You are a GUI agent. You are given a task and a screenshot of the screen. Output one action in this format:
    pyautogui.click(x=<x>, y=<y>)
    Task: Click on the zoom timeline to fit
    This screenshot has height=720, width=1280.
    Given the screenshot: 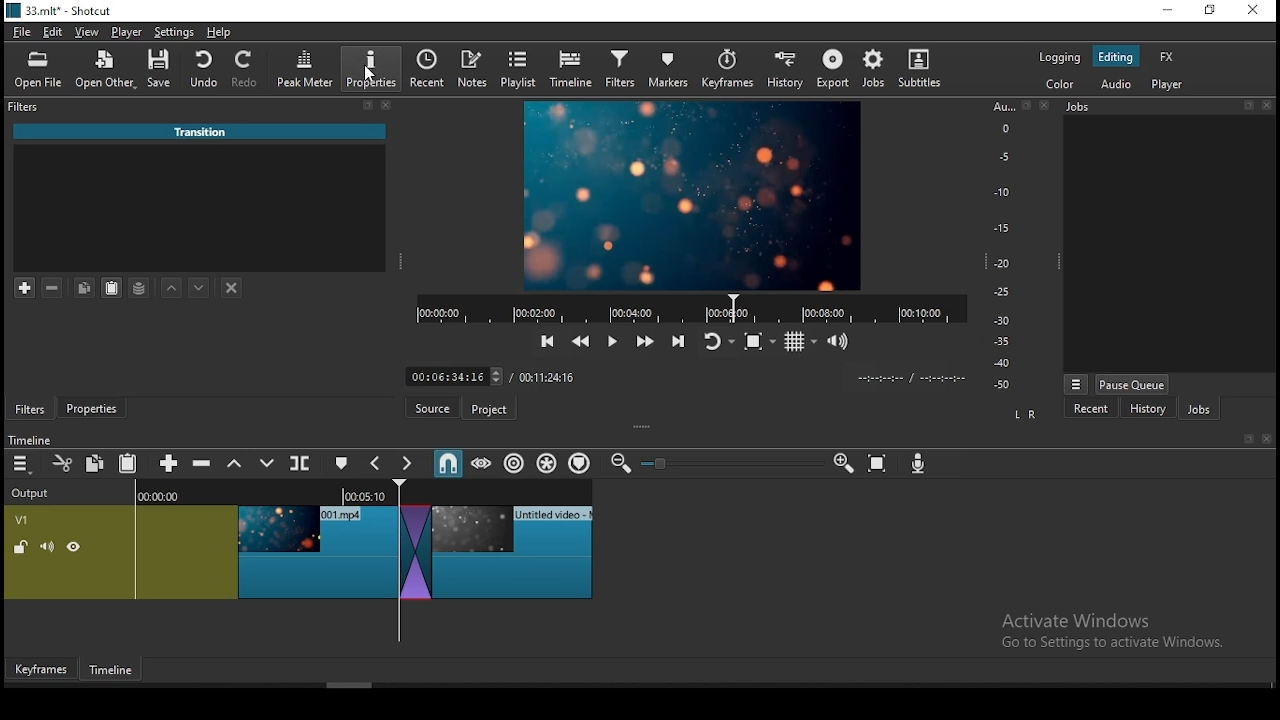 What is the action you would take?
    pyautogui.click(x=879, y=466)
    